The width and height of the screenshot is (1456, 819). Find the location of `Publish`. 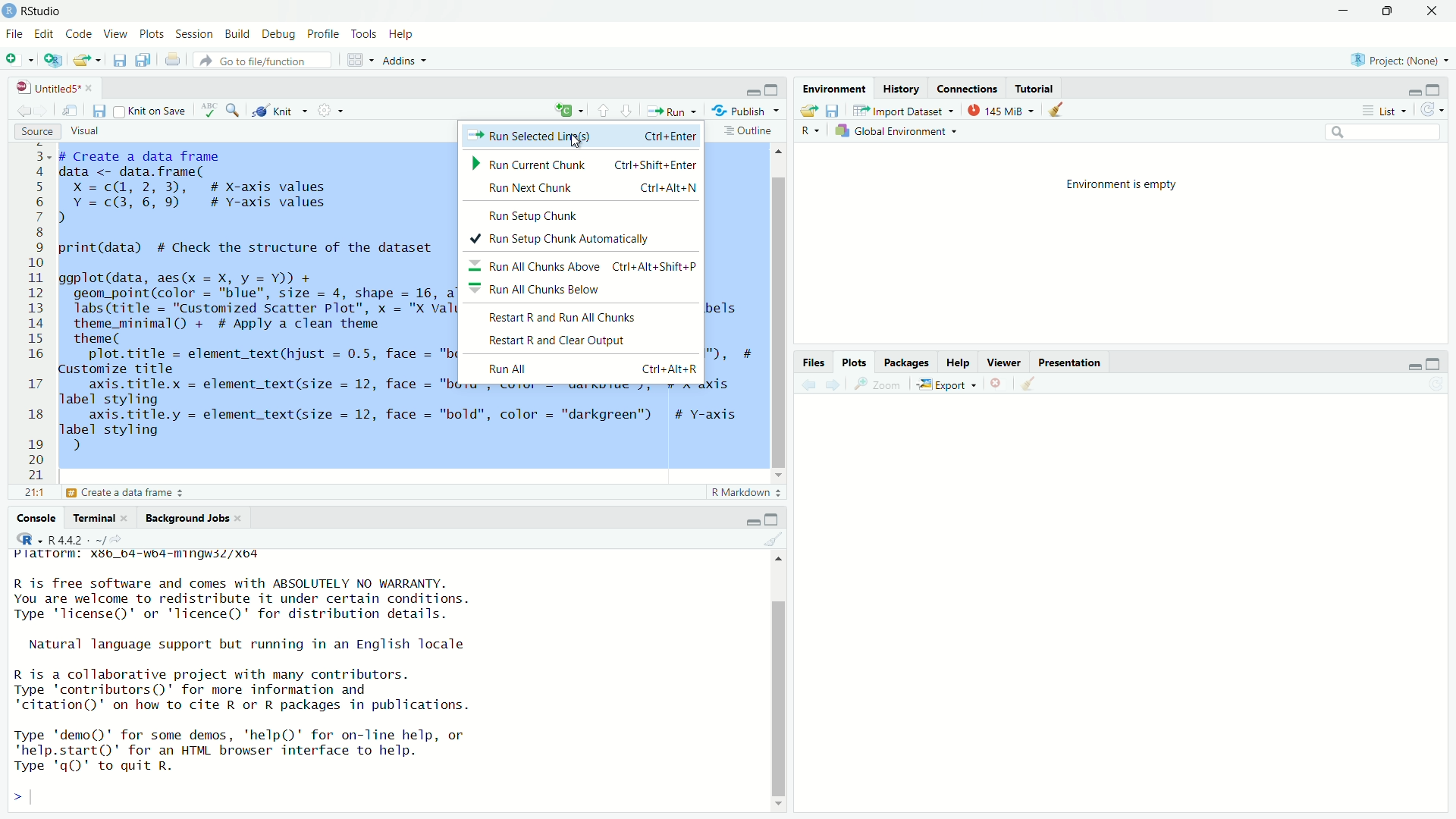

Publish is located at coordinates (746, 111).